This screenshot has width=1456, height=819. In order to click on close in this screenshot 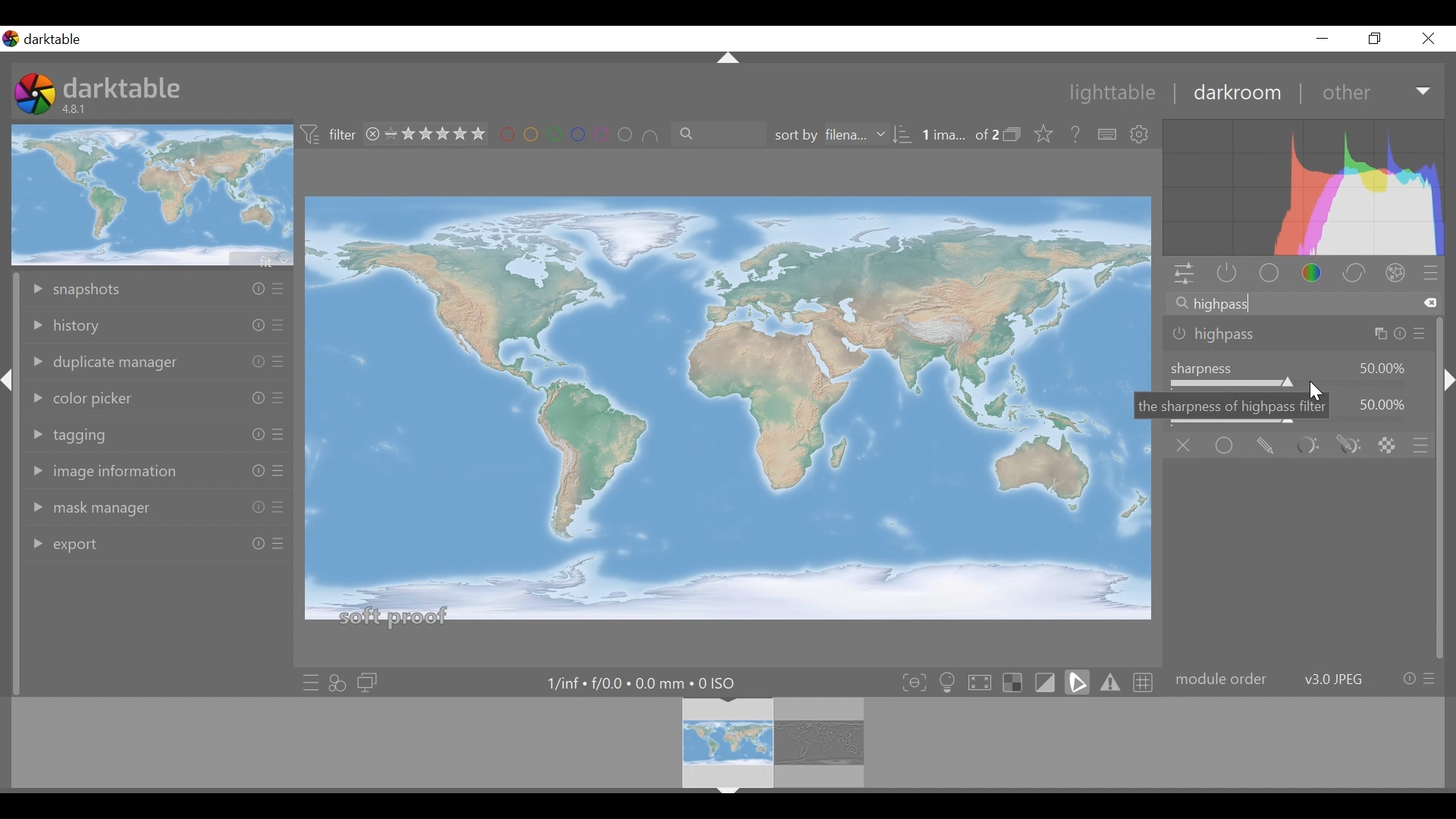, I will do `click(1427, 39)`.